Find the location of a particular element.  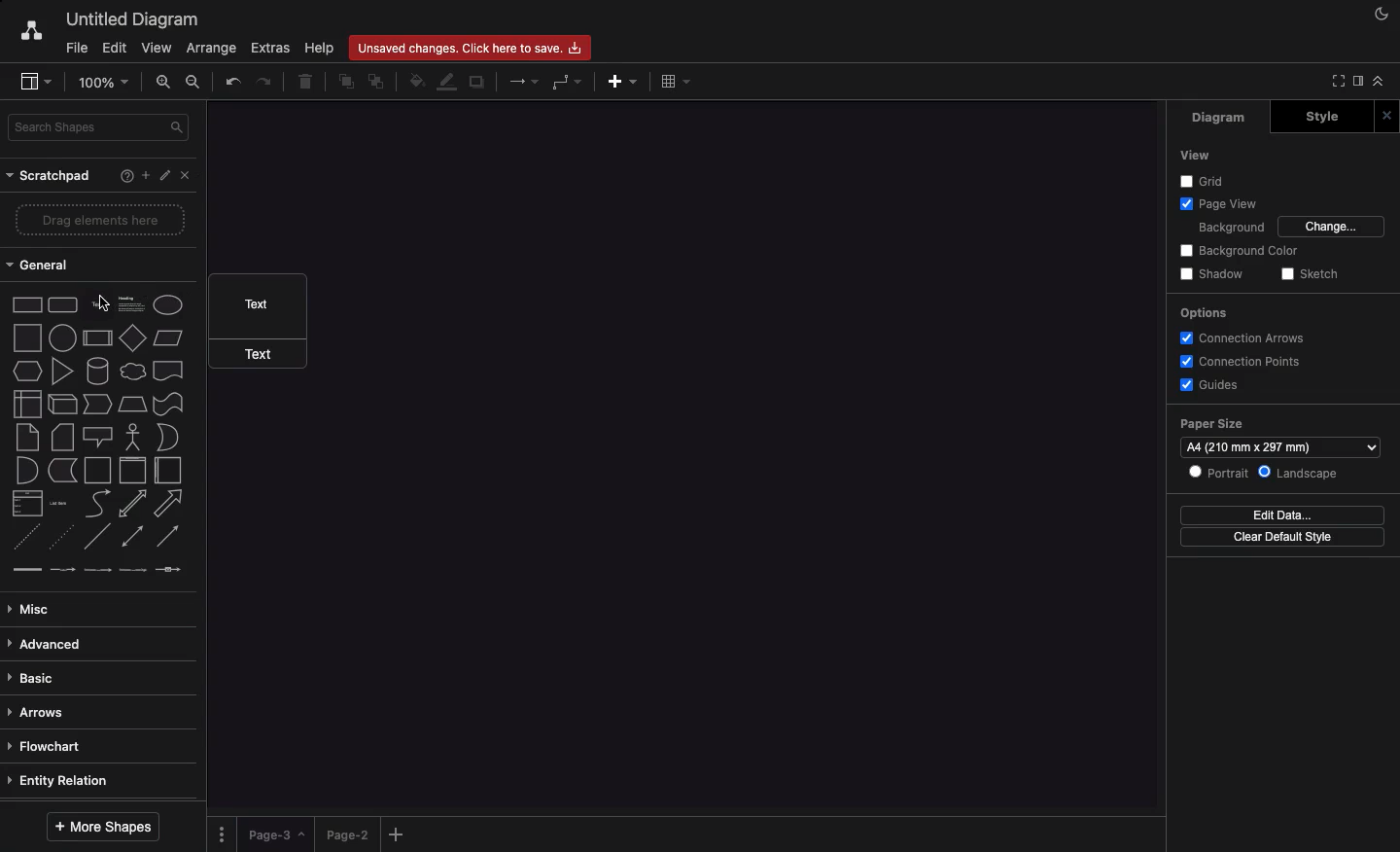

document is located at coordinates (169, 371).